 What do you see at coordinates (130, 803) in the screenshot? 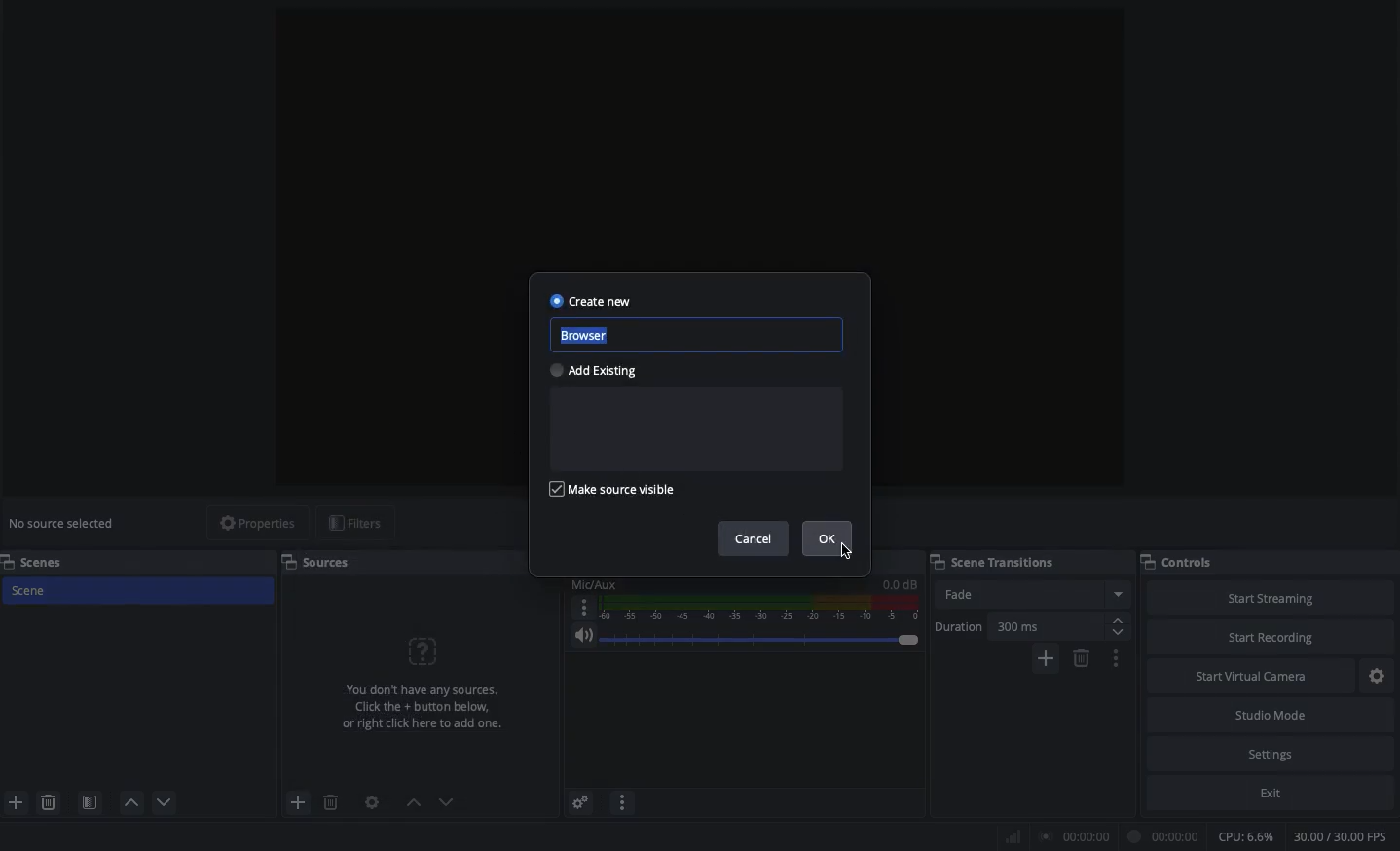
I see `move up` at bounding box center [130, 803].